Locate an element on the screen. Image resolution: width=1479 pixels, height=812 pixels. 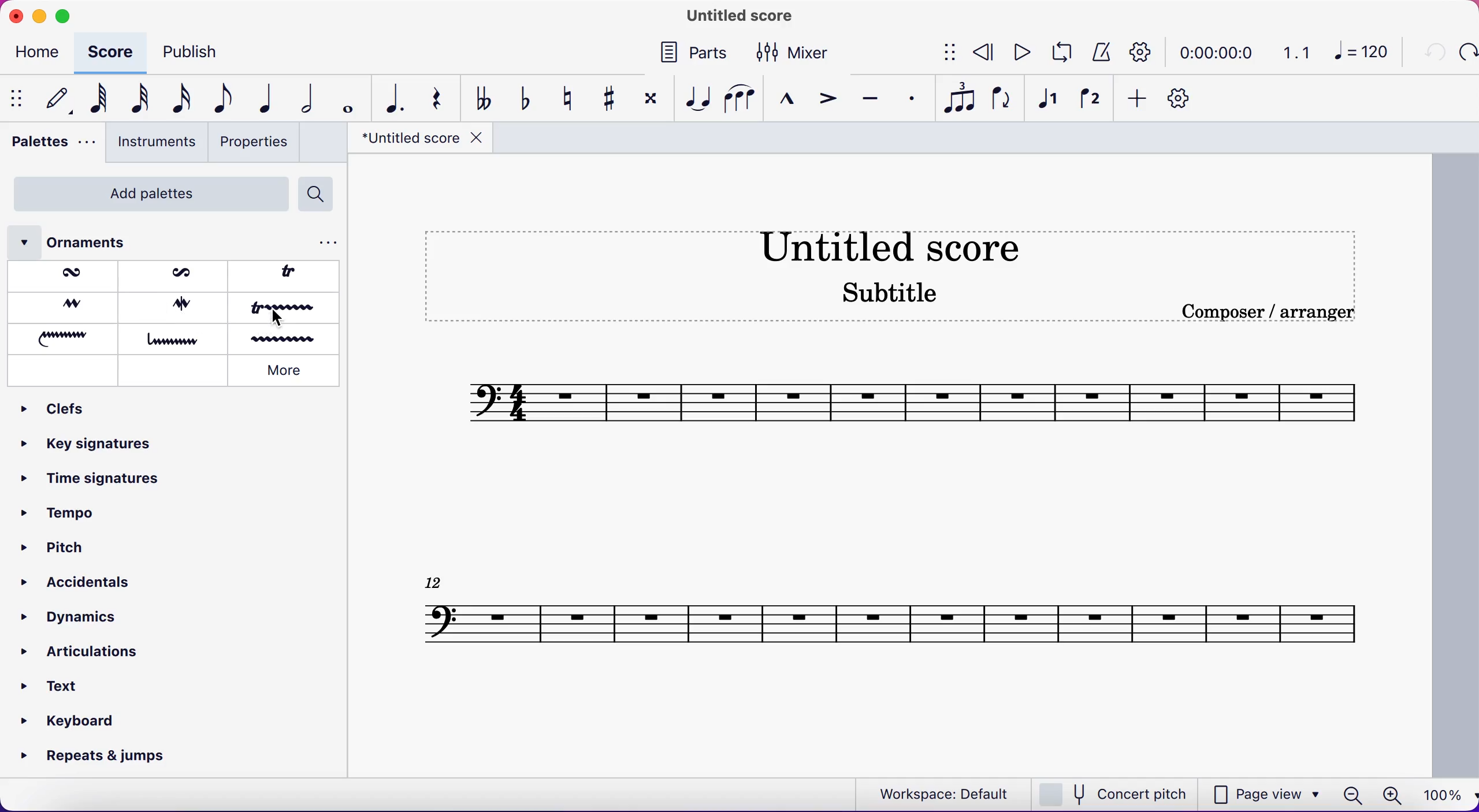
rewind is located at coordinates (984, 54).